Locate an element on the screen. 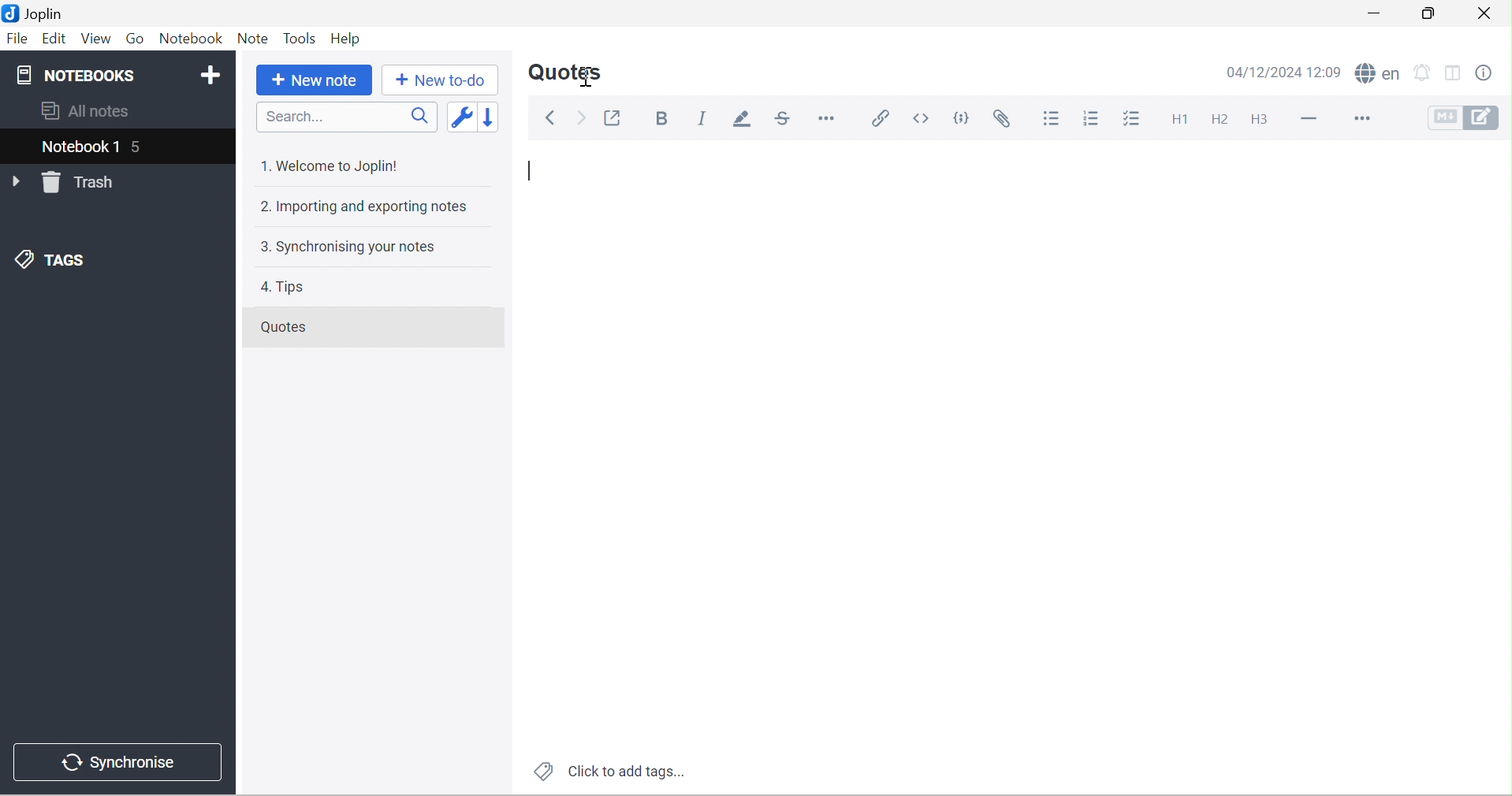 The width and height of the screenshot is (1512, 796). Go is located at coordinates (136, 38).